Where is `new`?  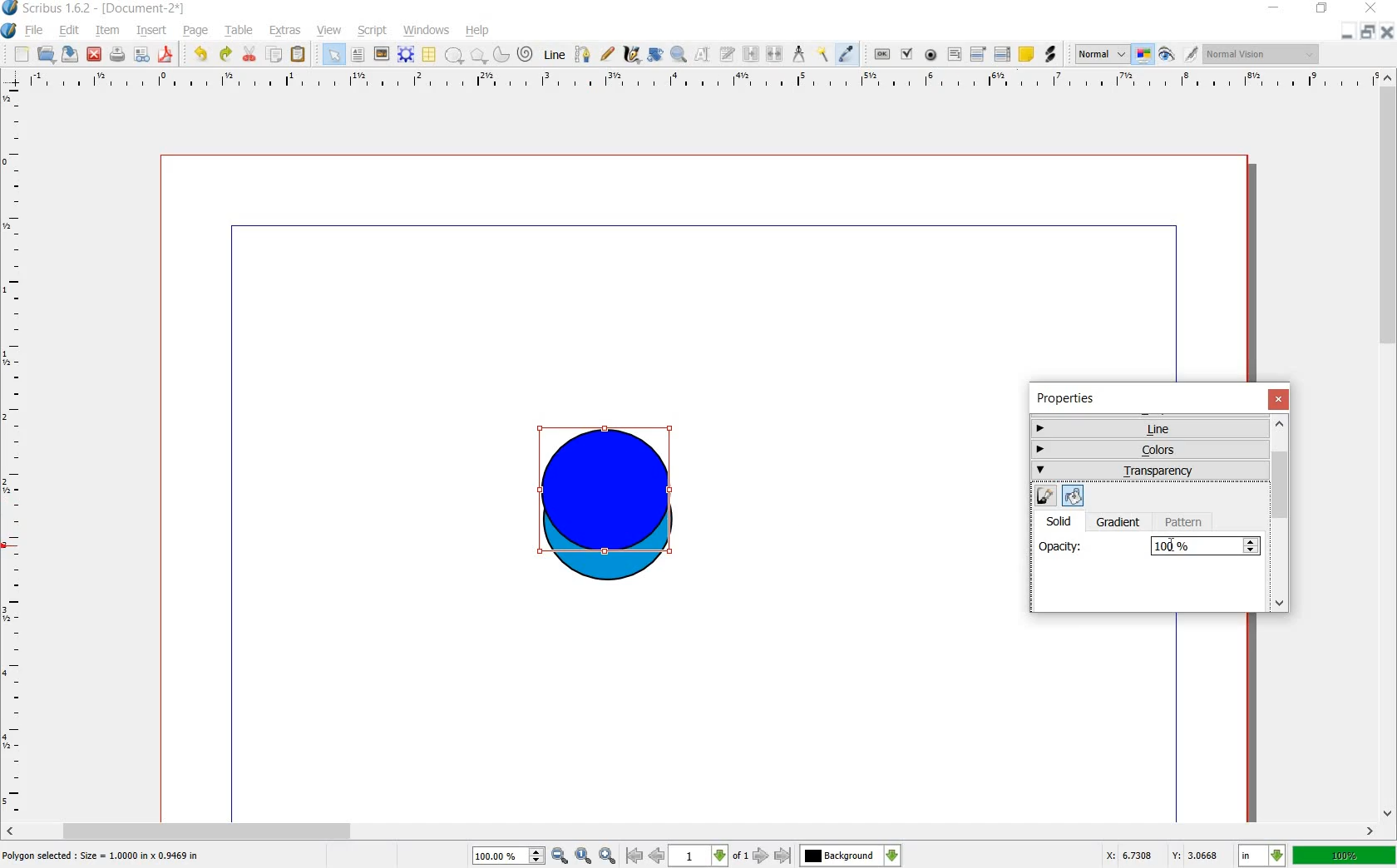 new is located at coordinates (22, 55).